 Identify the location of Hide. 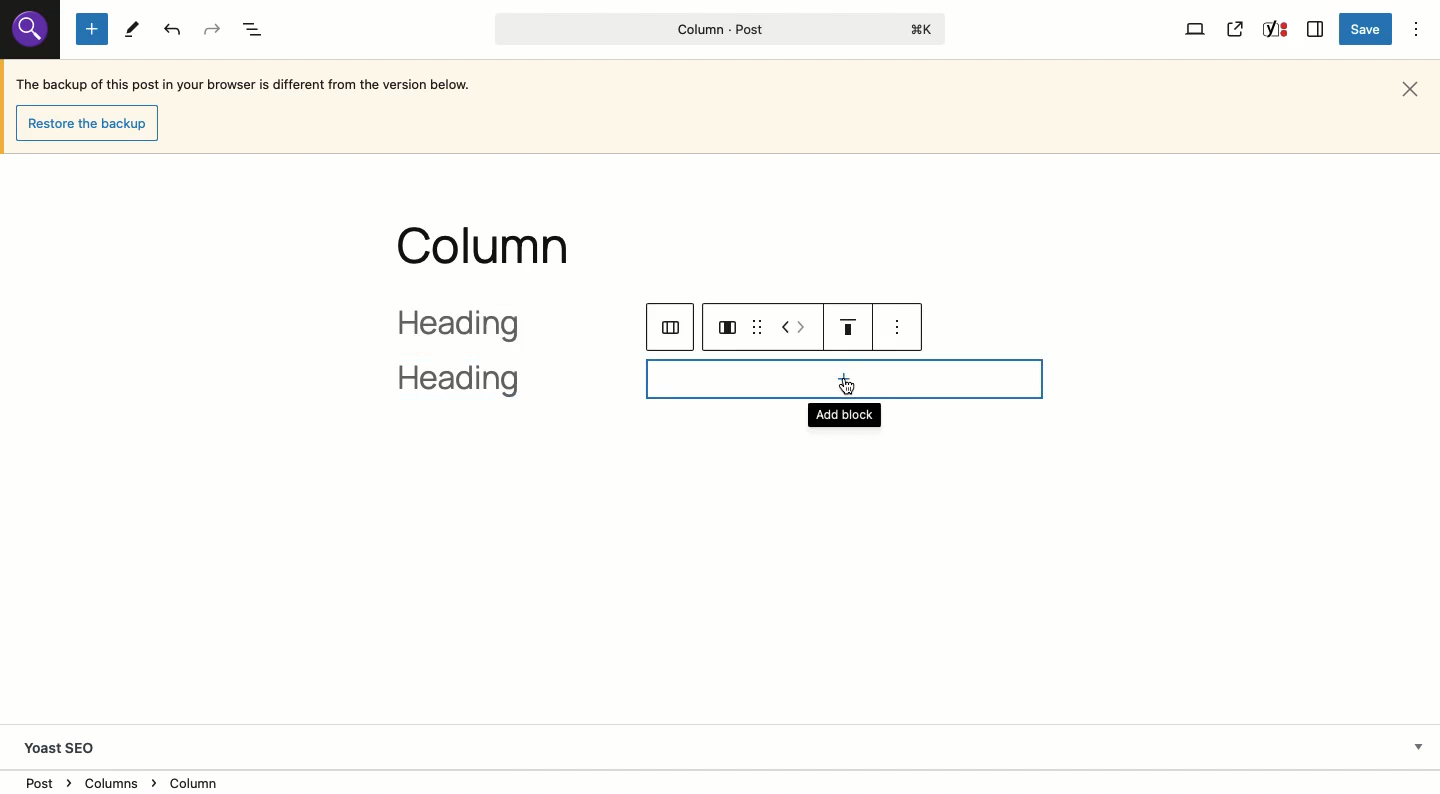
(1418, 745).